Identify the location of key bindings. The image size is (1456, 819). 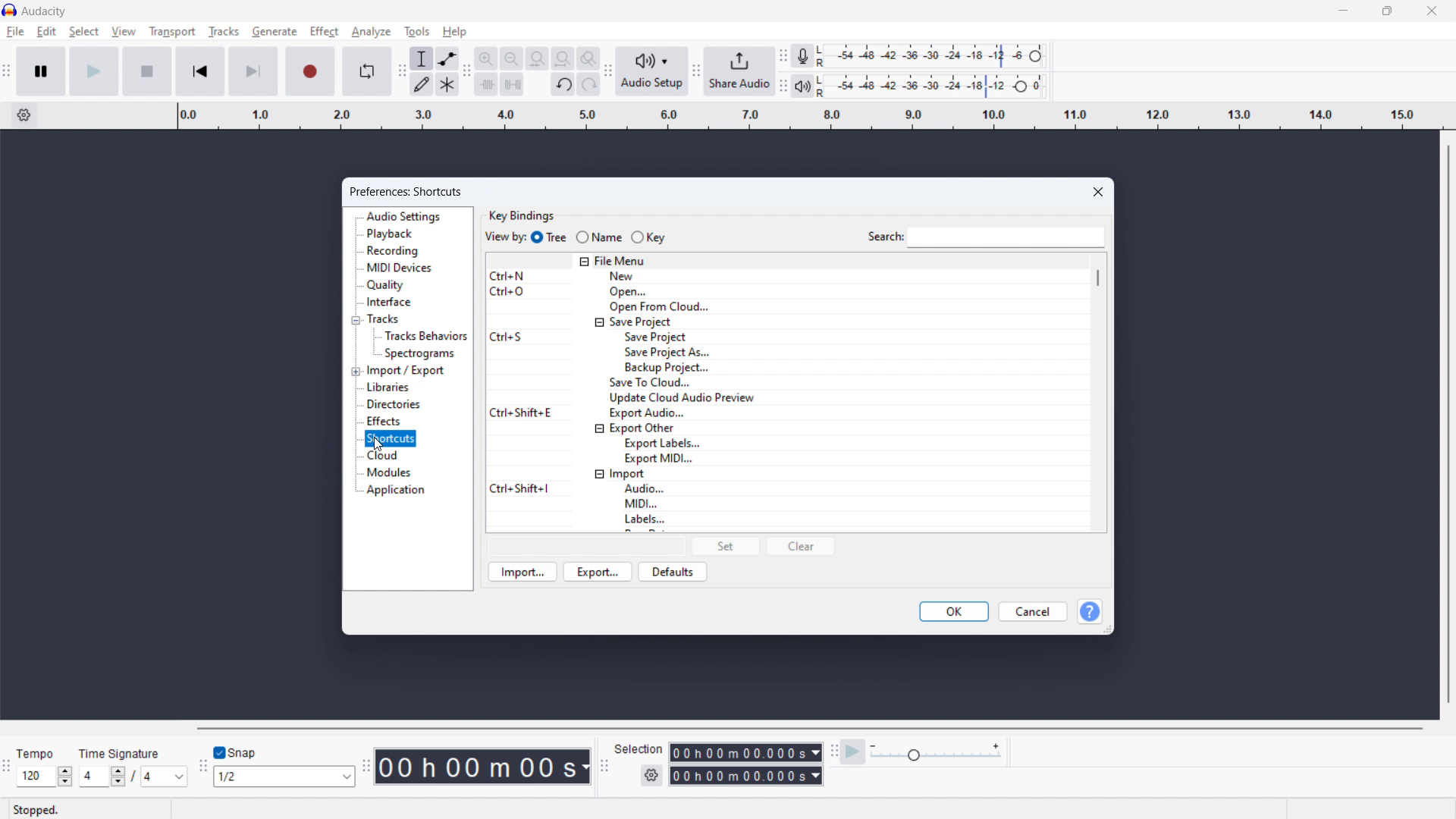
(522, 215).